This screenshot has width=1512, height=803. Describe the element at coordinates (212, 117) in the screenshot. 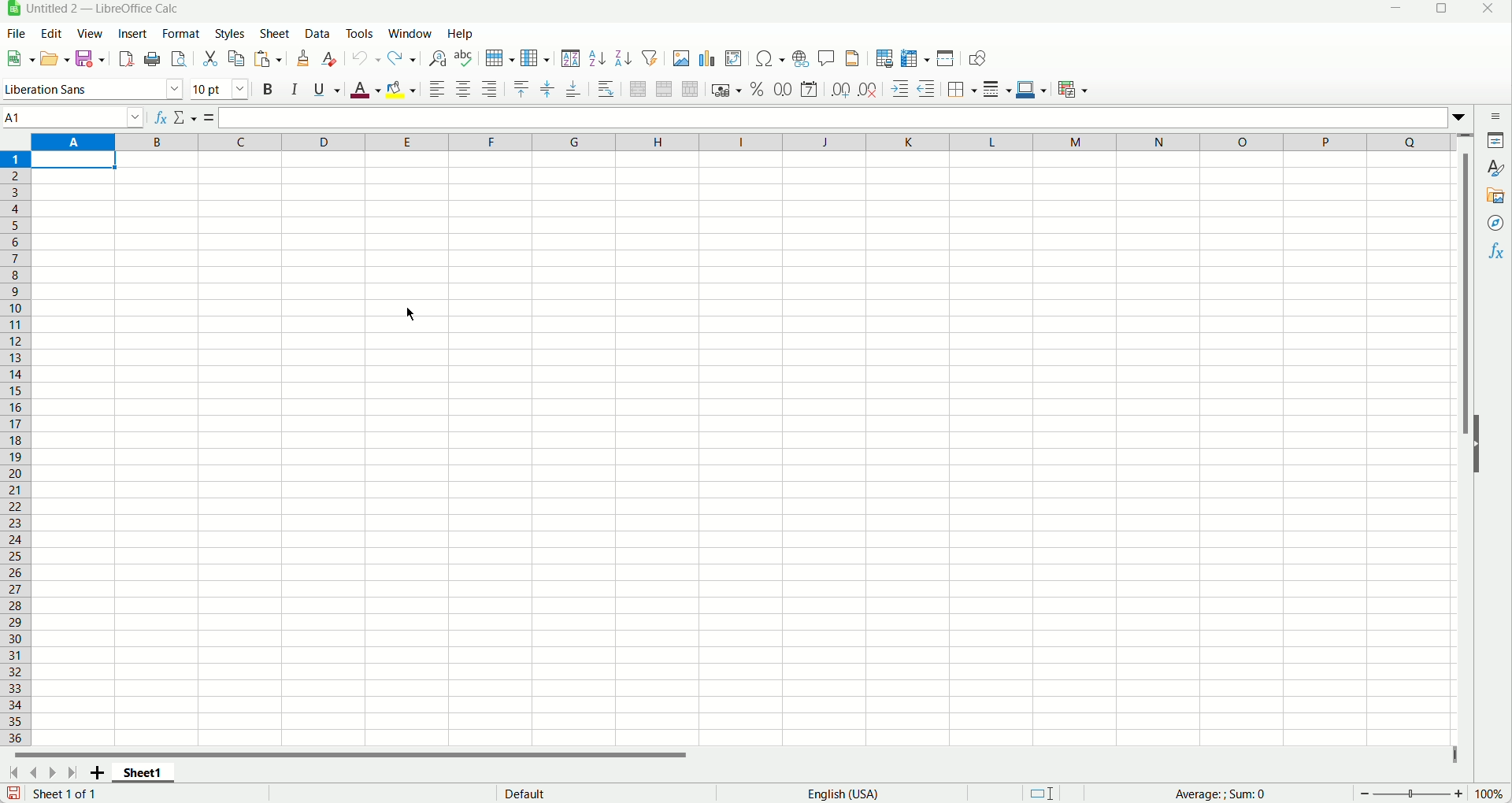

I see `Formula` at that location.